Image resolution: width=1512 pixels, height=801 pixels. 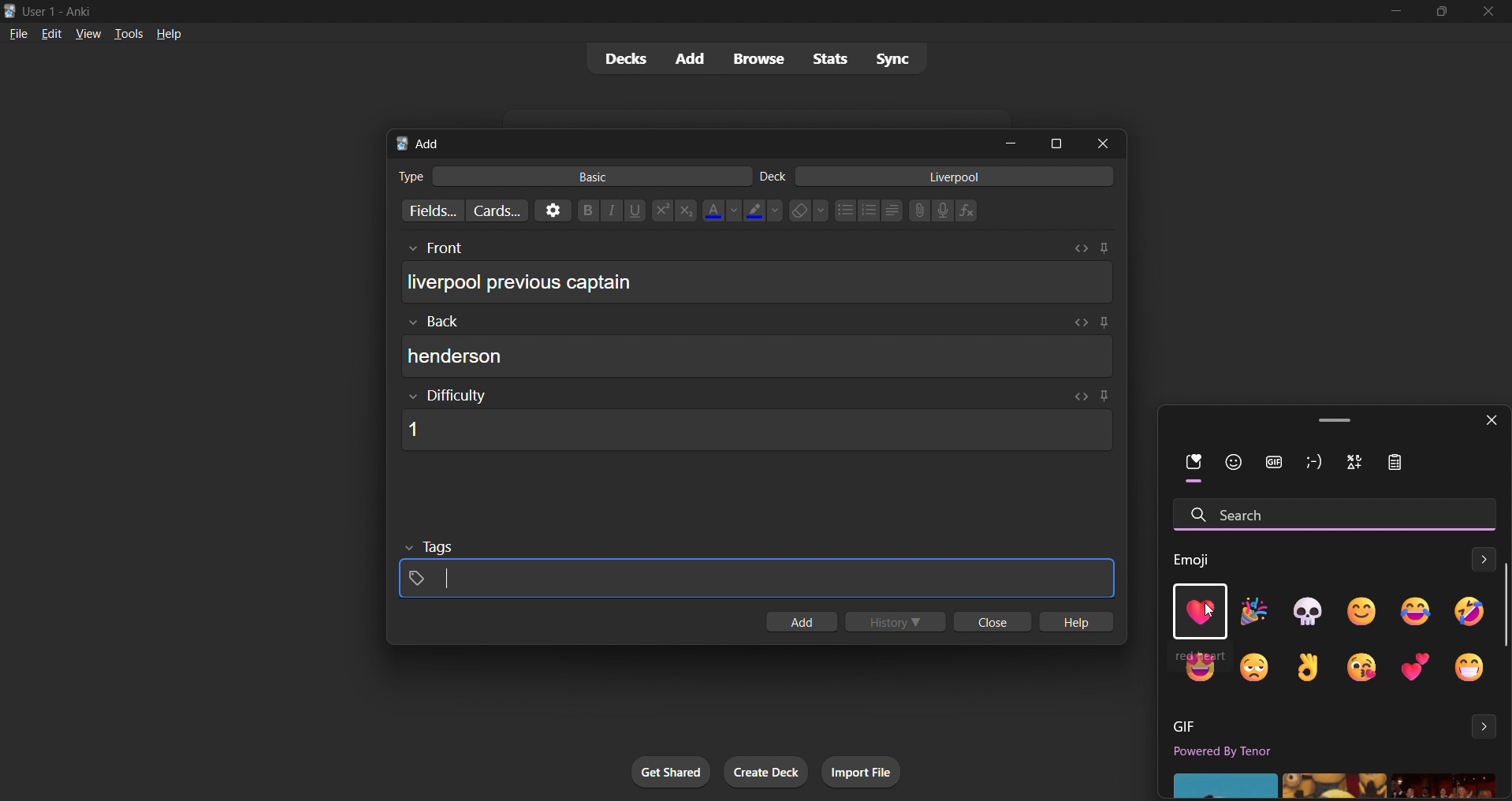 I want to click on multilevel list, so click(x=893, y=212).